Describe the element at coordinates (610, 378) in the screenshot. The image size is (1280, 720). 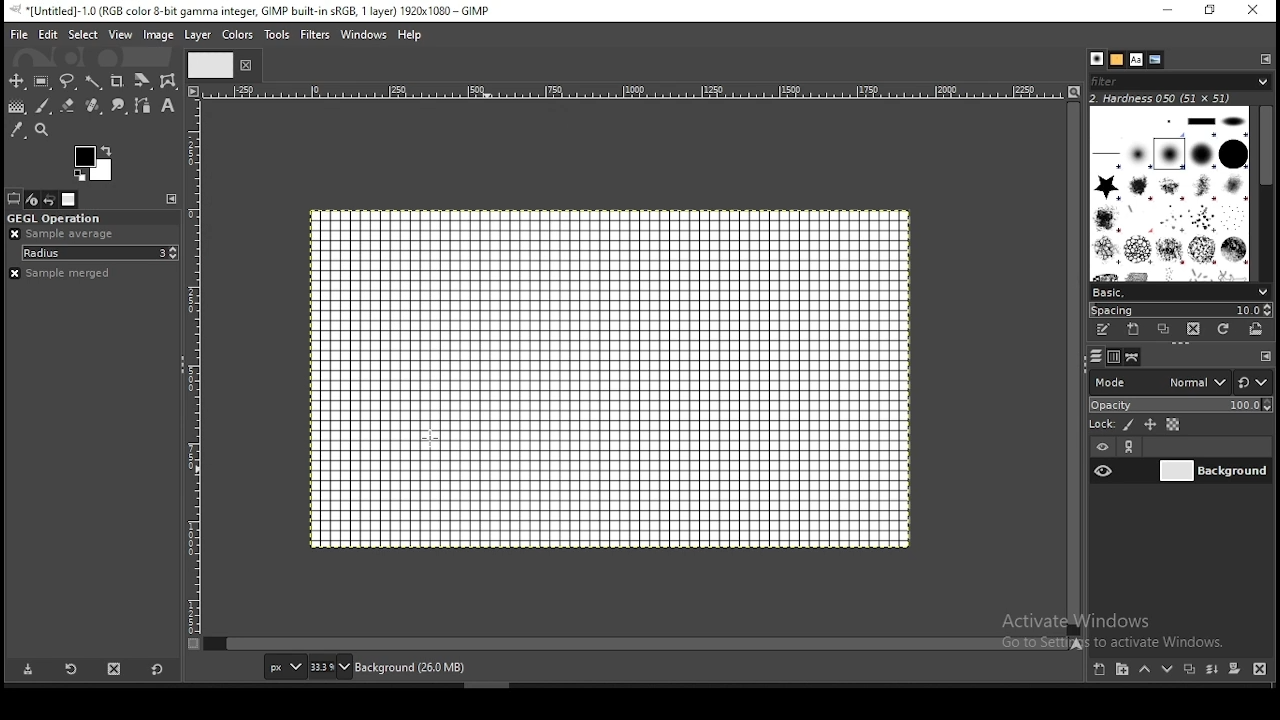
I see `document` at that location.